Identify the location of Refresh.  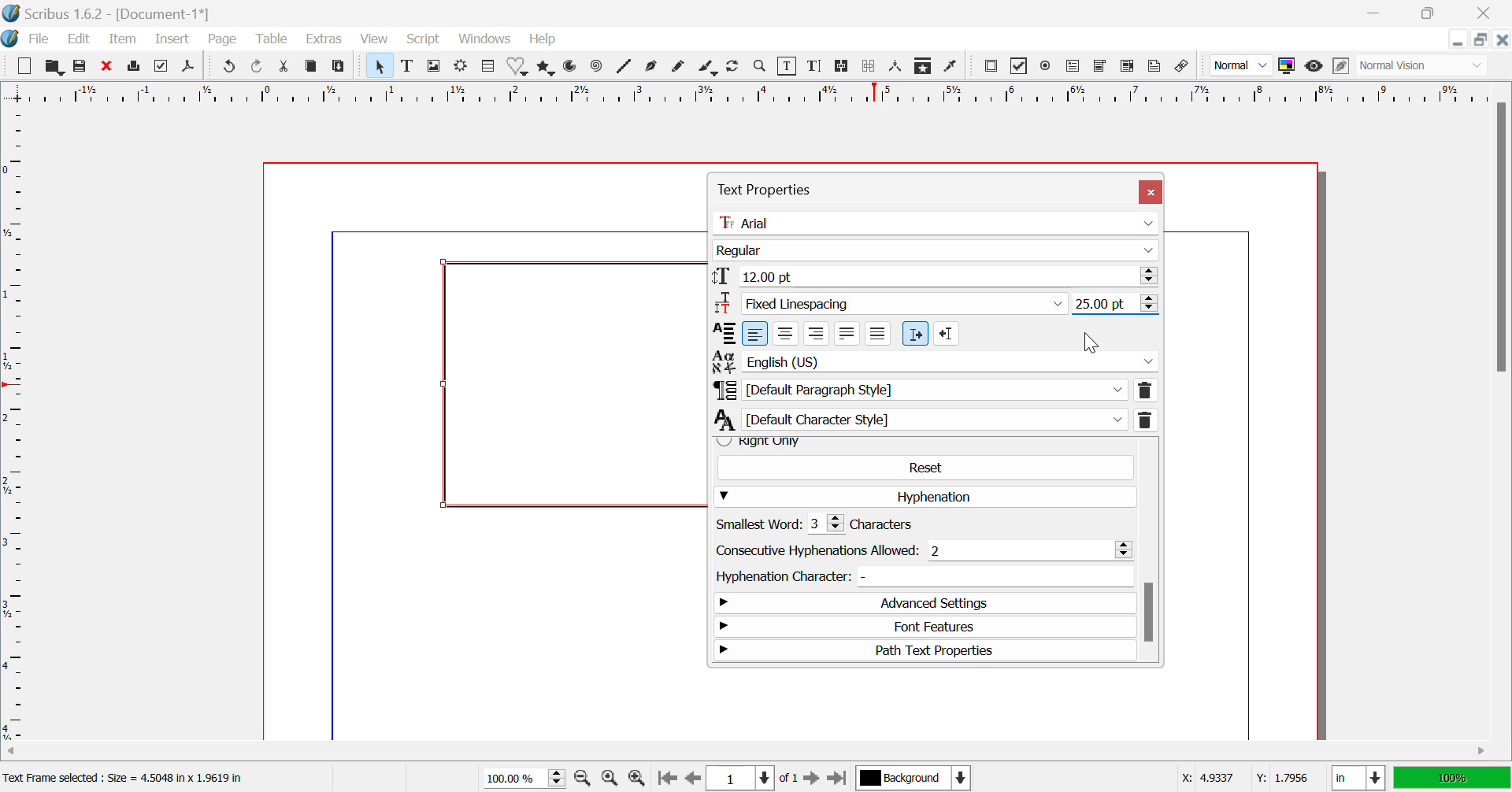
(736, 68).